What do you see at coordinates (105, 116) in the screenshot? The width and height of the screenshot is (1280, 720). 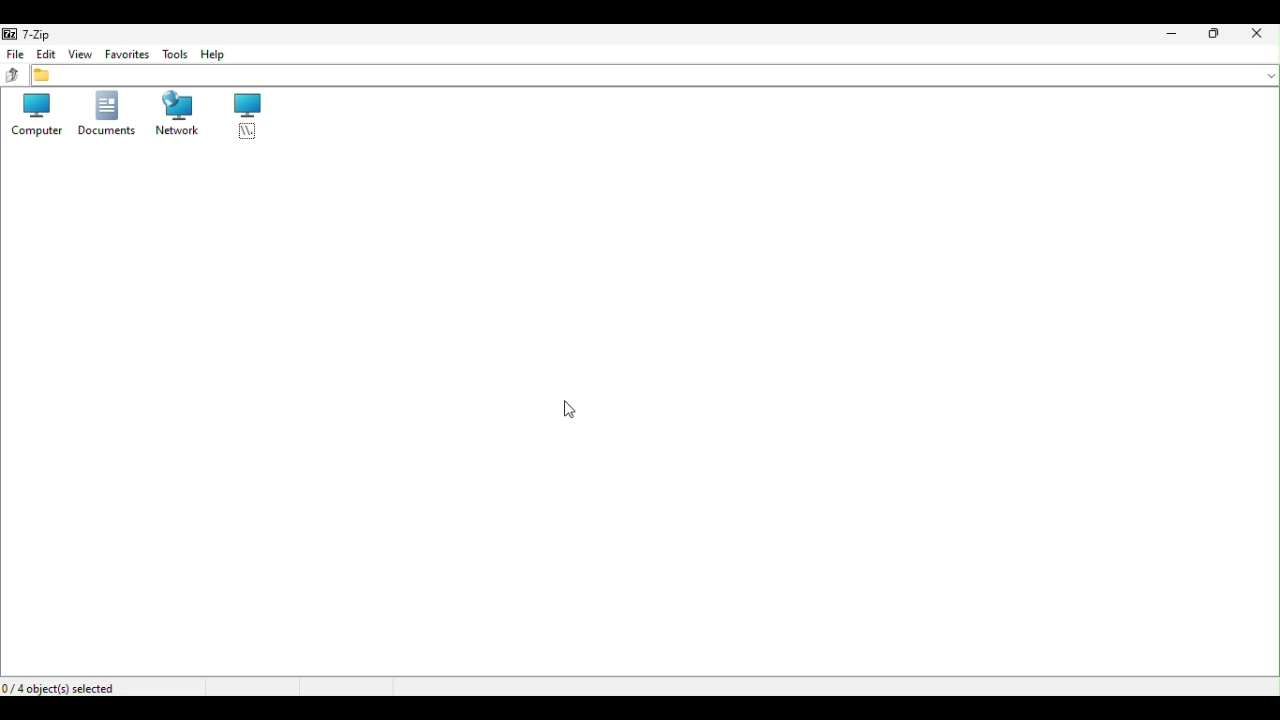 I see `Documents` at bounding box center [105, 116].